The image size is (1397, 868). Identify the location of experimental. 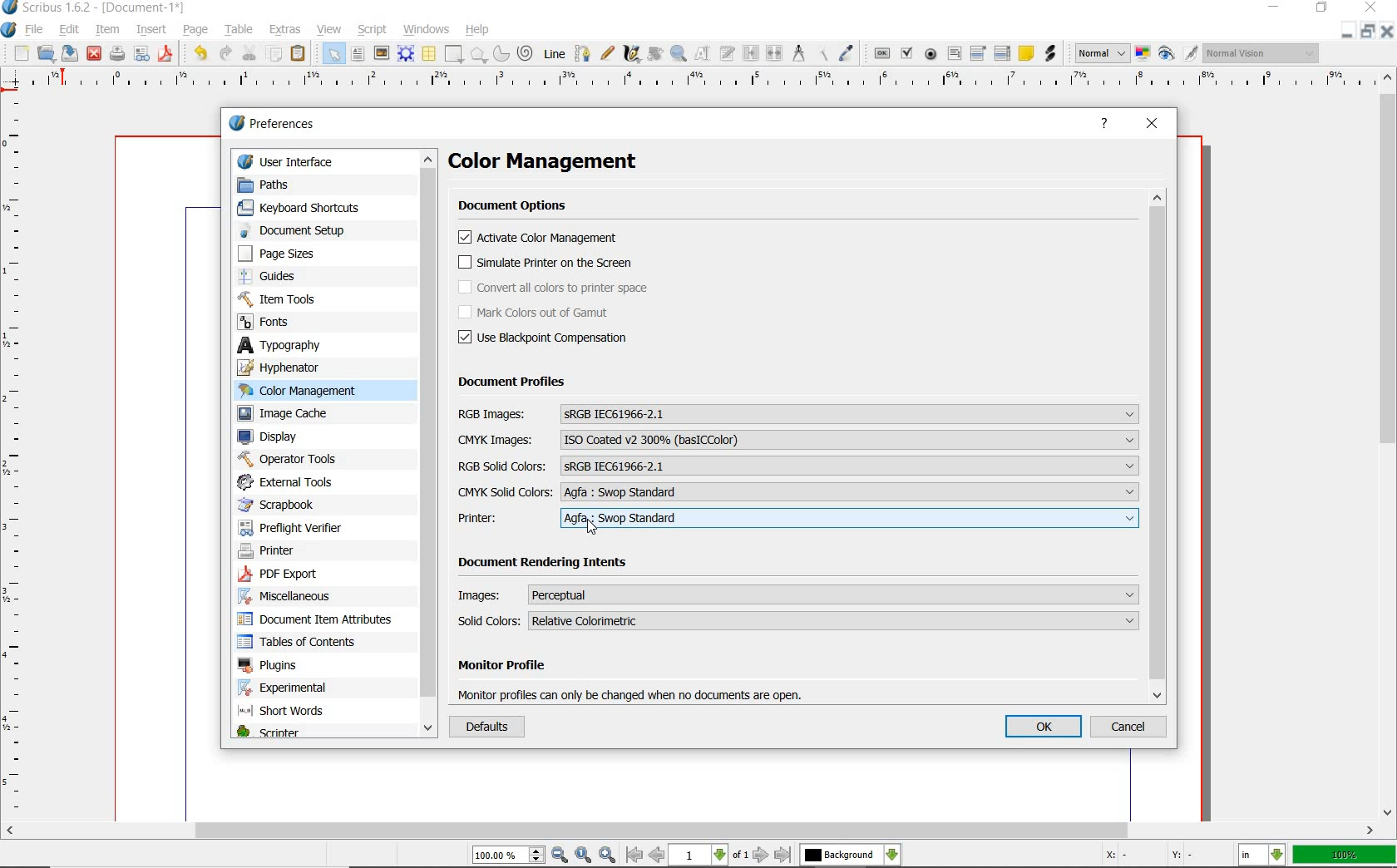
(305, 687).